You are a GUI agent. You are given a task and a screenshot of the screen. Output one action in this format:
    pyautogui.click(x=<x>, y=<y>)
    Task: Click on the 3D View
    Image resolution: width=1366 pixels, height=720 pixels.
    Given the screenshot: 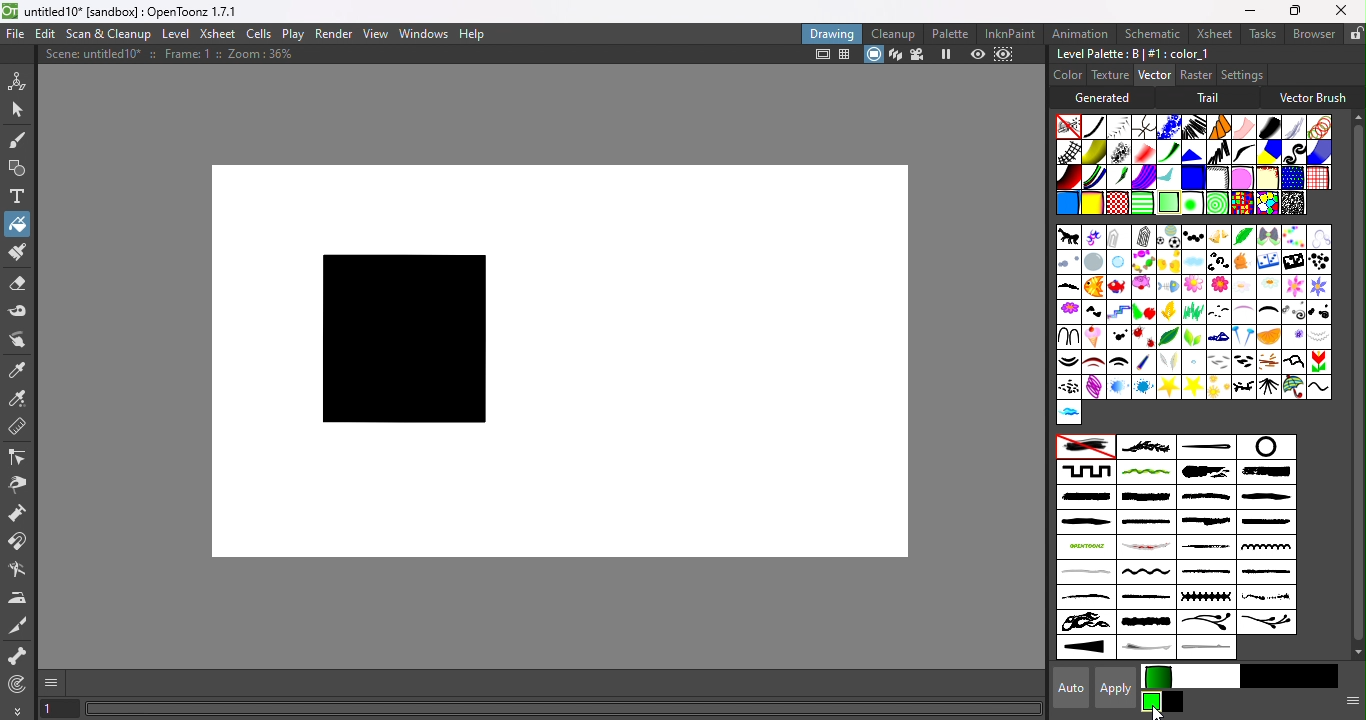 What is the action you would take?
    pyautogui.click(x=893, y=55)
    